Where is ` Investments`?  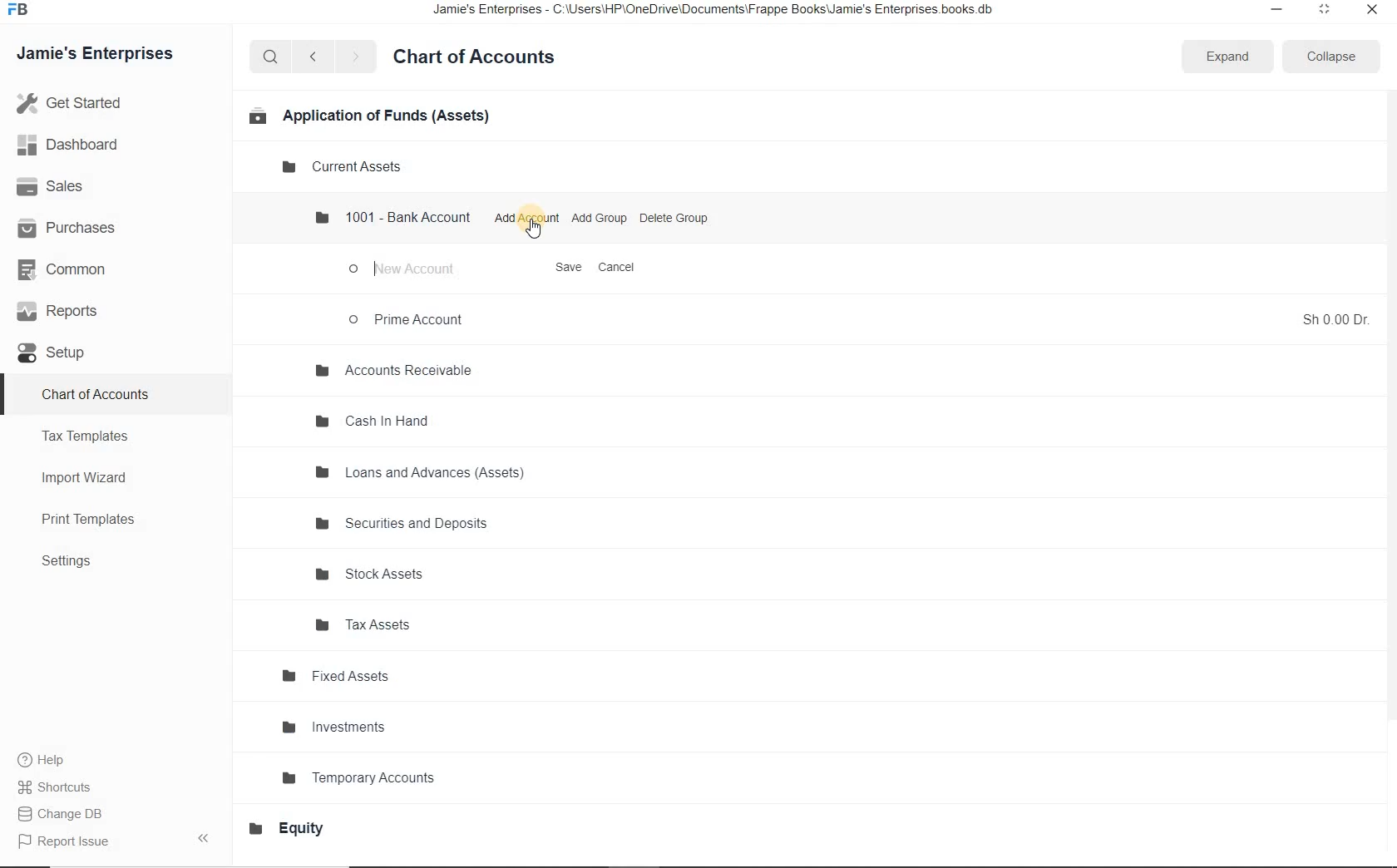
 Investments is located at coordinates (338, 727).